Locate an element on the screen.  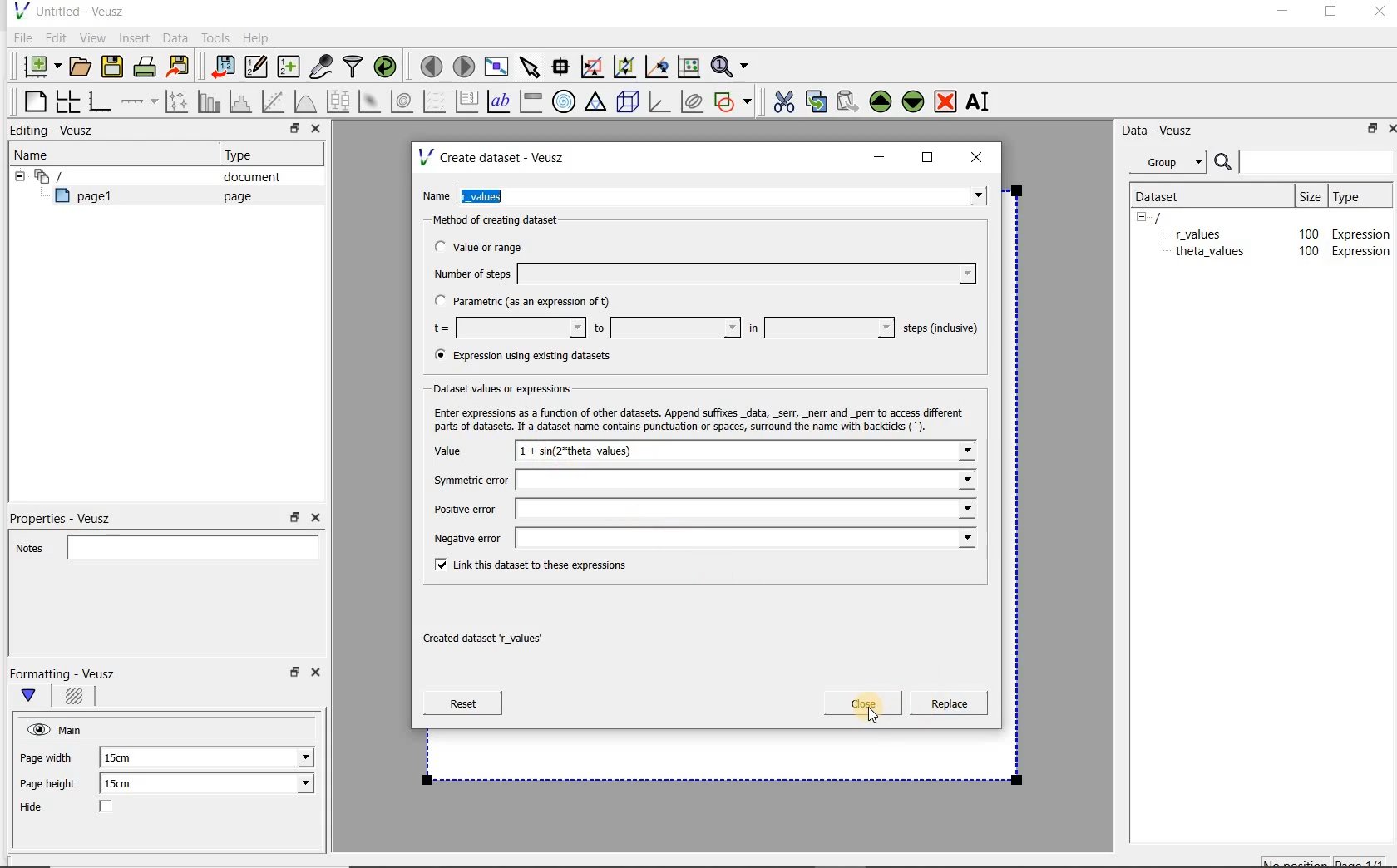
Value is located at coordinates (466, 453).